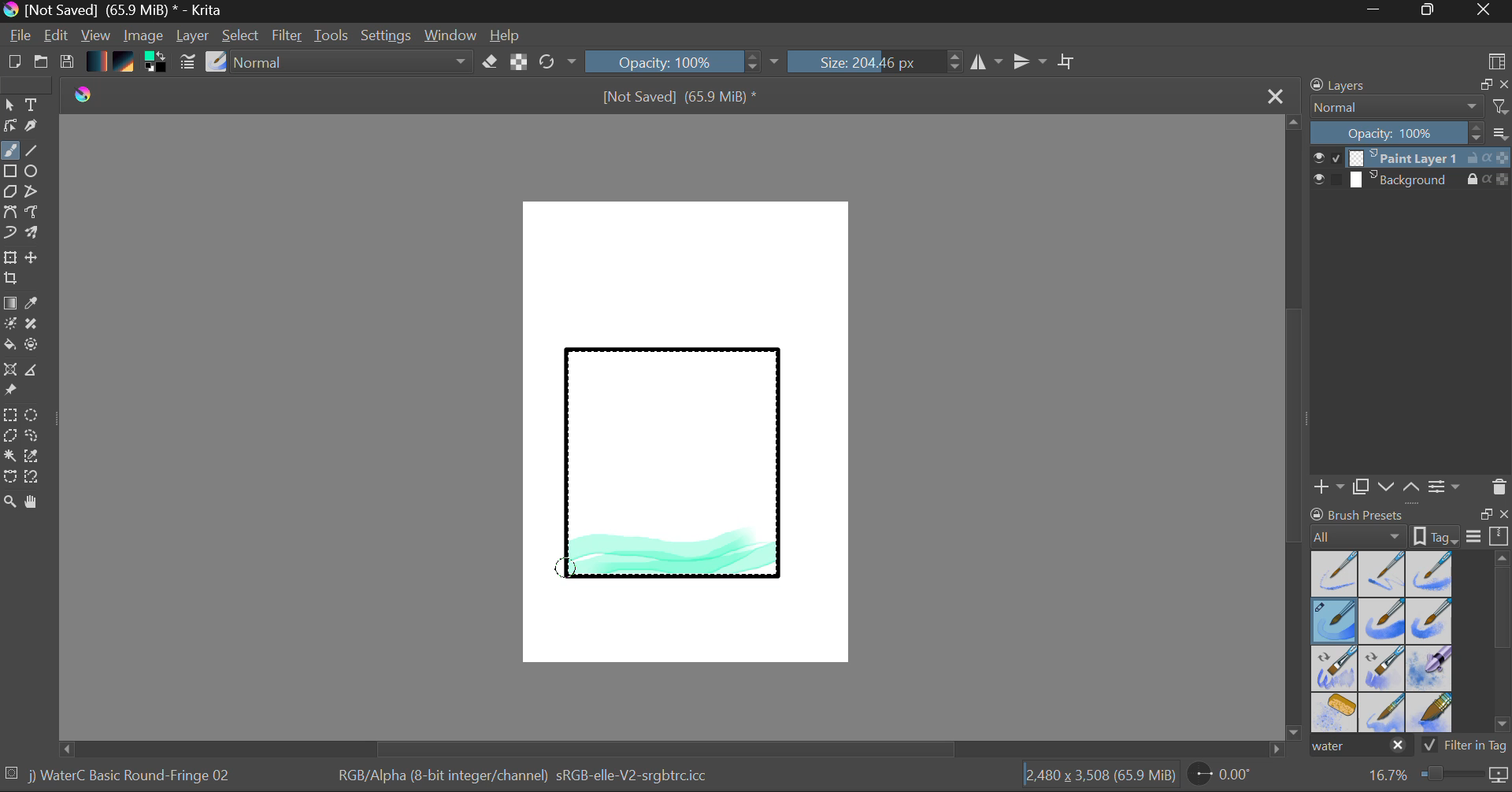 The image size is (1512, 792). I want to click on Window Title, so click(115, 11).